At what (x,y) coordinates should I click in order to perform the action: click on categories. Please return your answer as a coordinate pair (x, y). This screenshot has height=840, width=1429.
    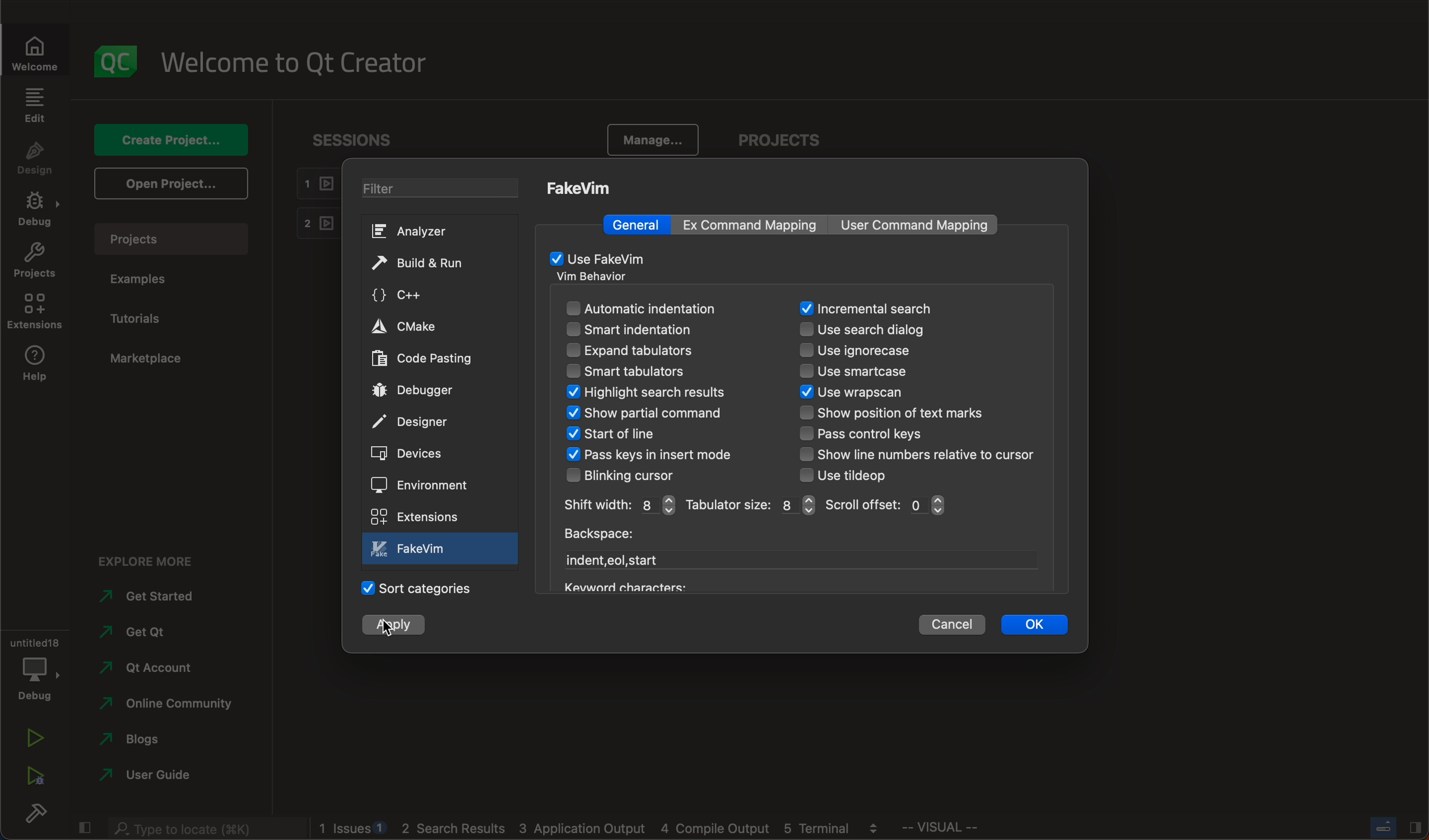
    Looking at the image, I should click on (419, 587).